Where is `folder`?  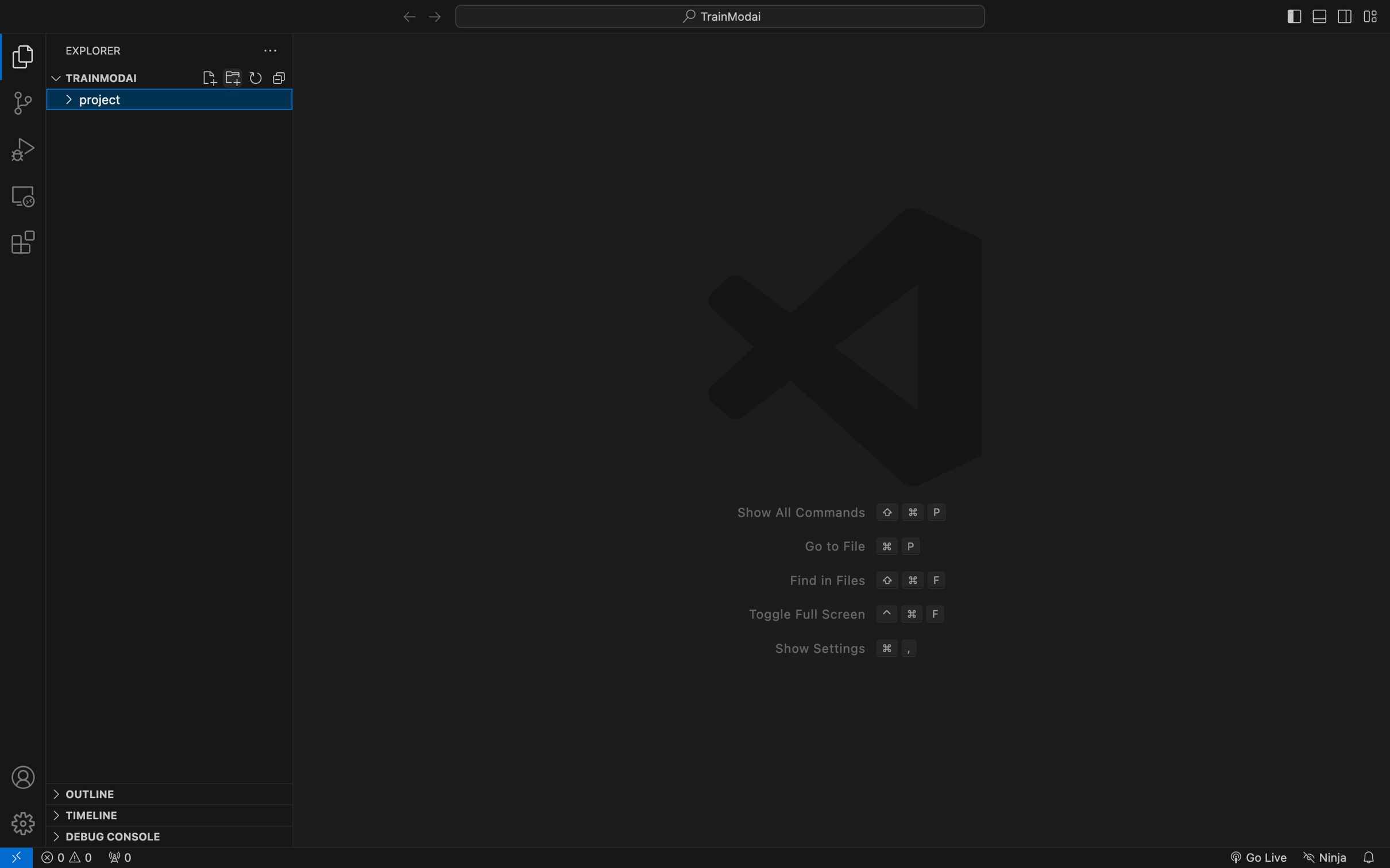
folder is located at coordinates (169, 102).